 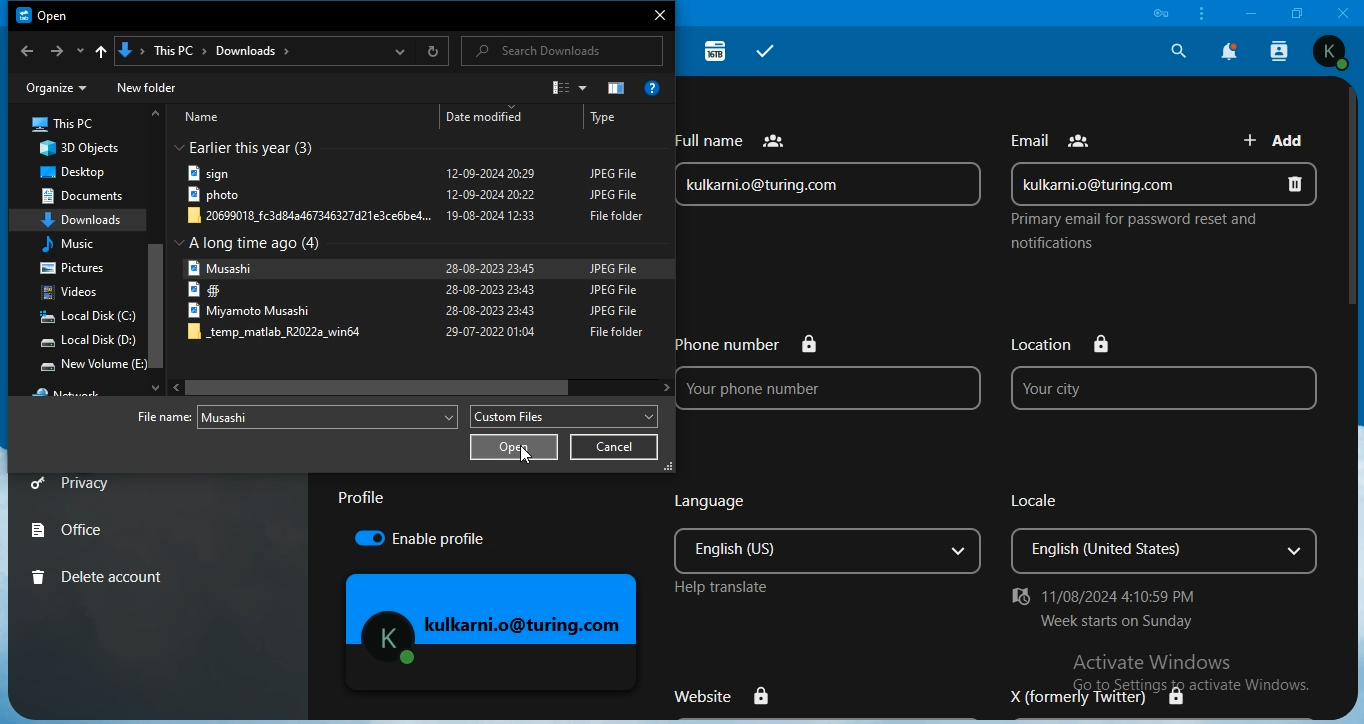 What do you see at coordinates (662, 12) in the screenshot?
I see `close` at bounding box center [662, 12].